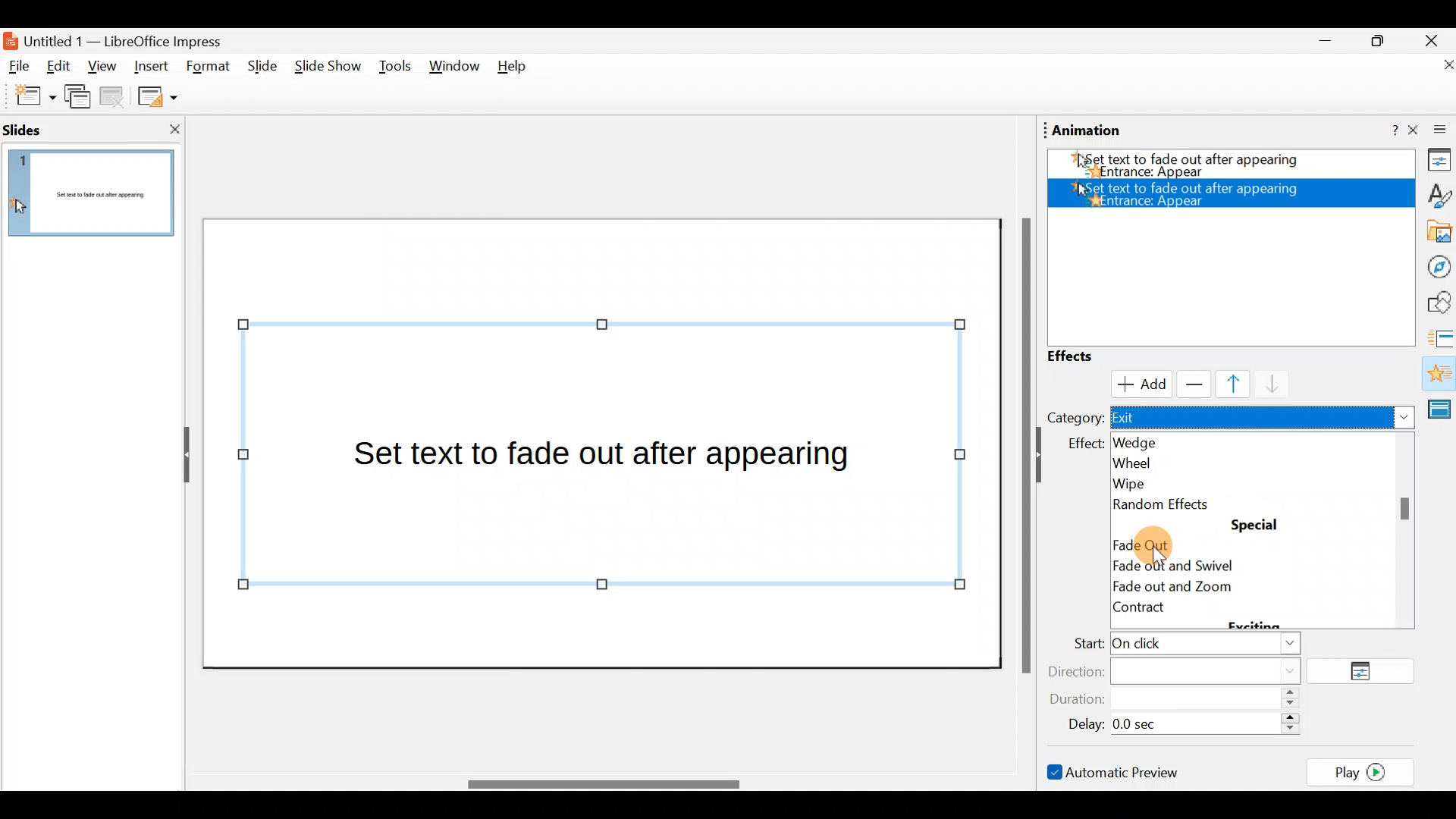 Image resolution: width=1456 pixels, height=819 pixels. What do you see at coordinates (1323, 45) in the screenshot?
I see `Minimise` at bounding box center [1323, 45].